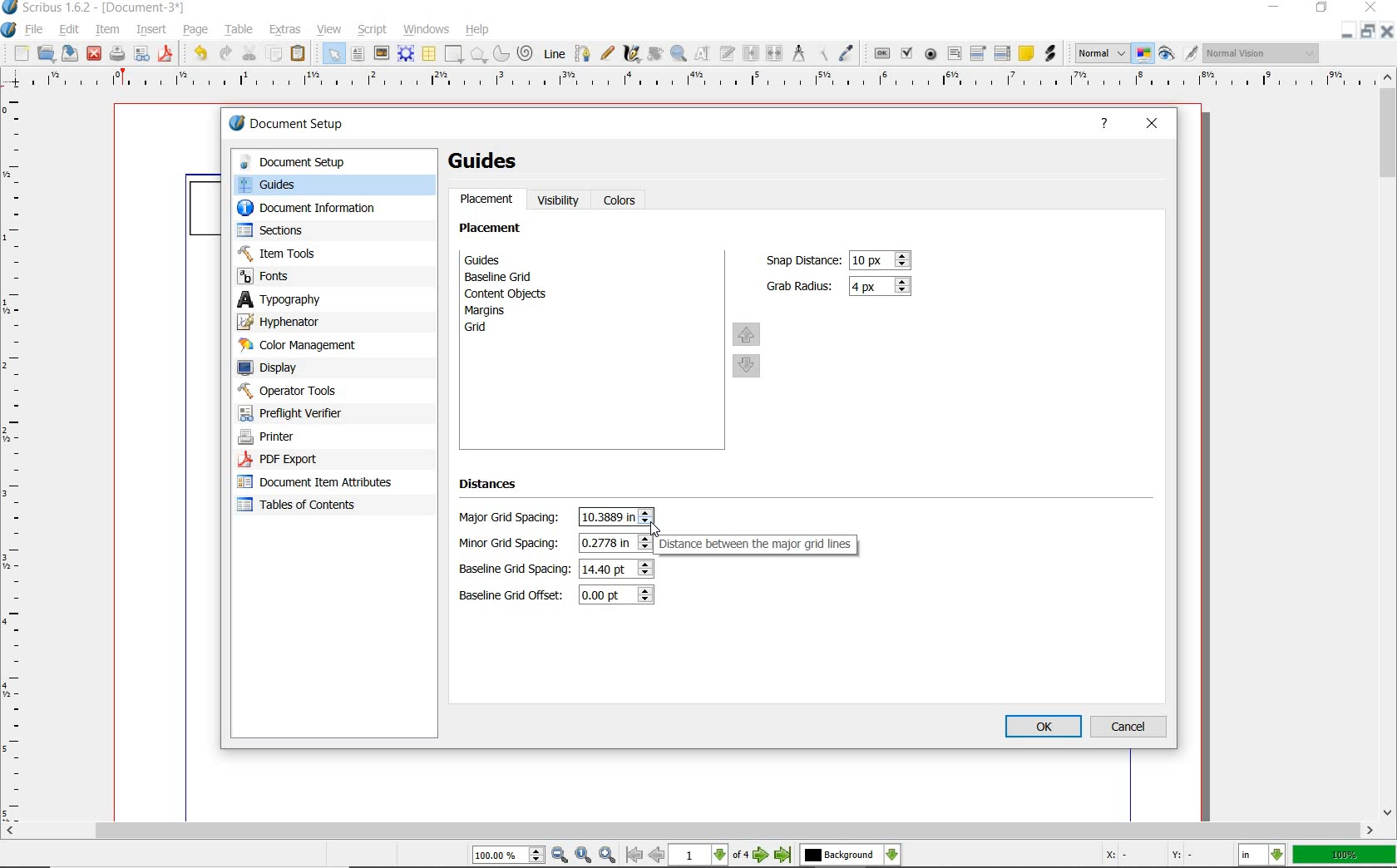 The height and width of the screenshot is (868, 1397). I want to click on redo, so click(225, 54).